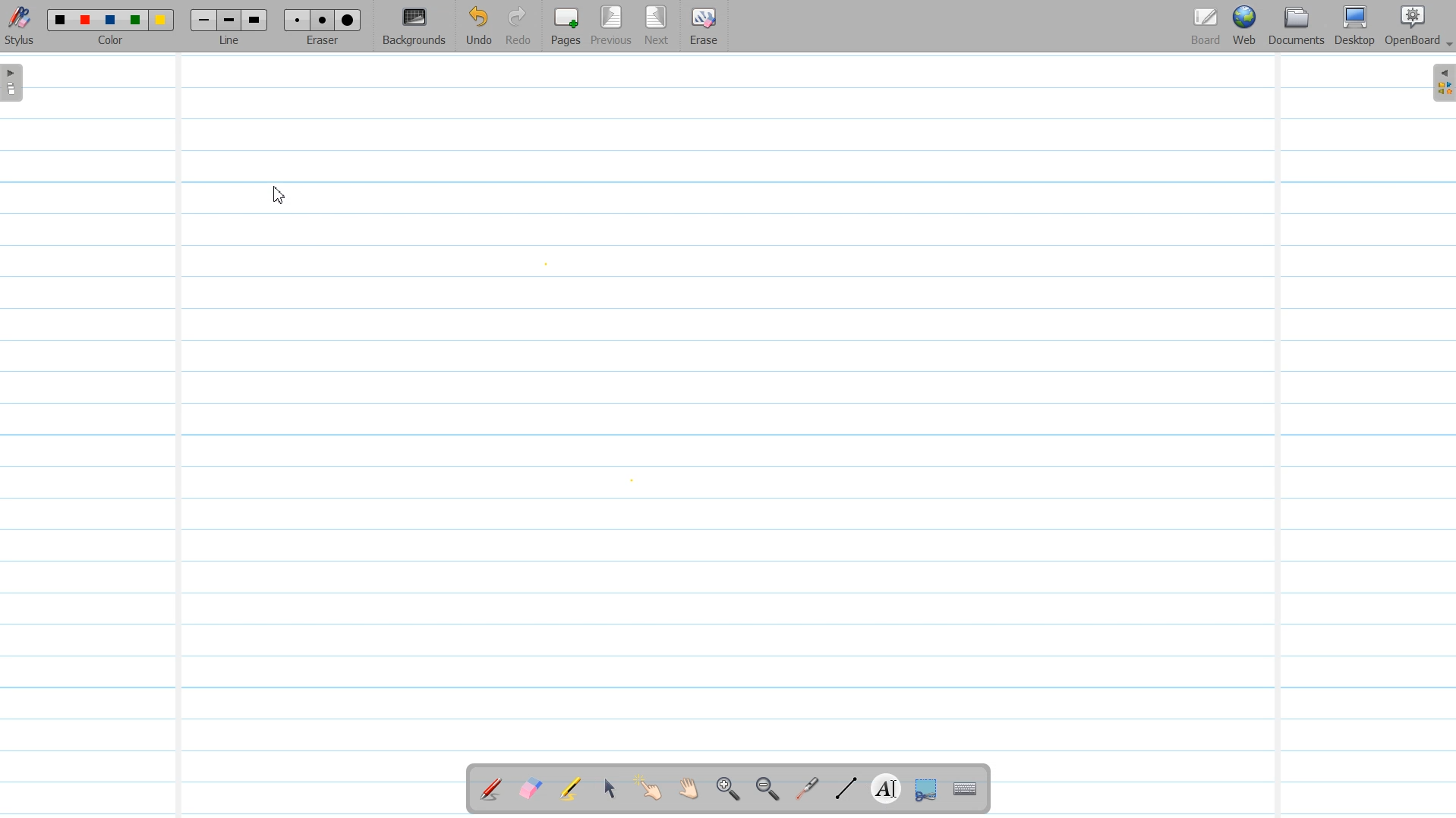  What do you see at coordinates (1246, 27) in the screenshot?
I see `Web` at bounding box center [1246, 27].